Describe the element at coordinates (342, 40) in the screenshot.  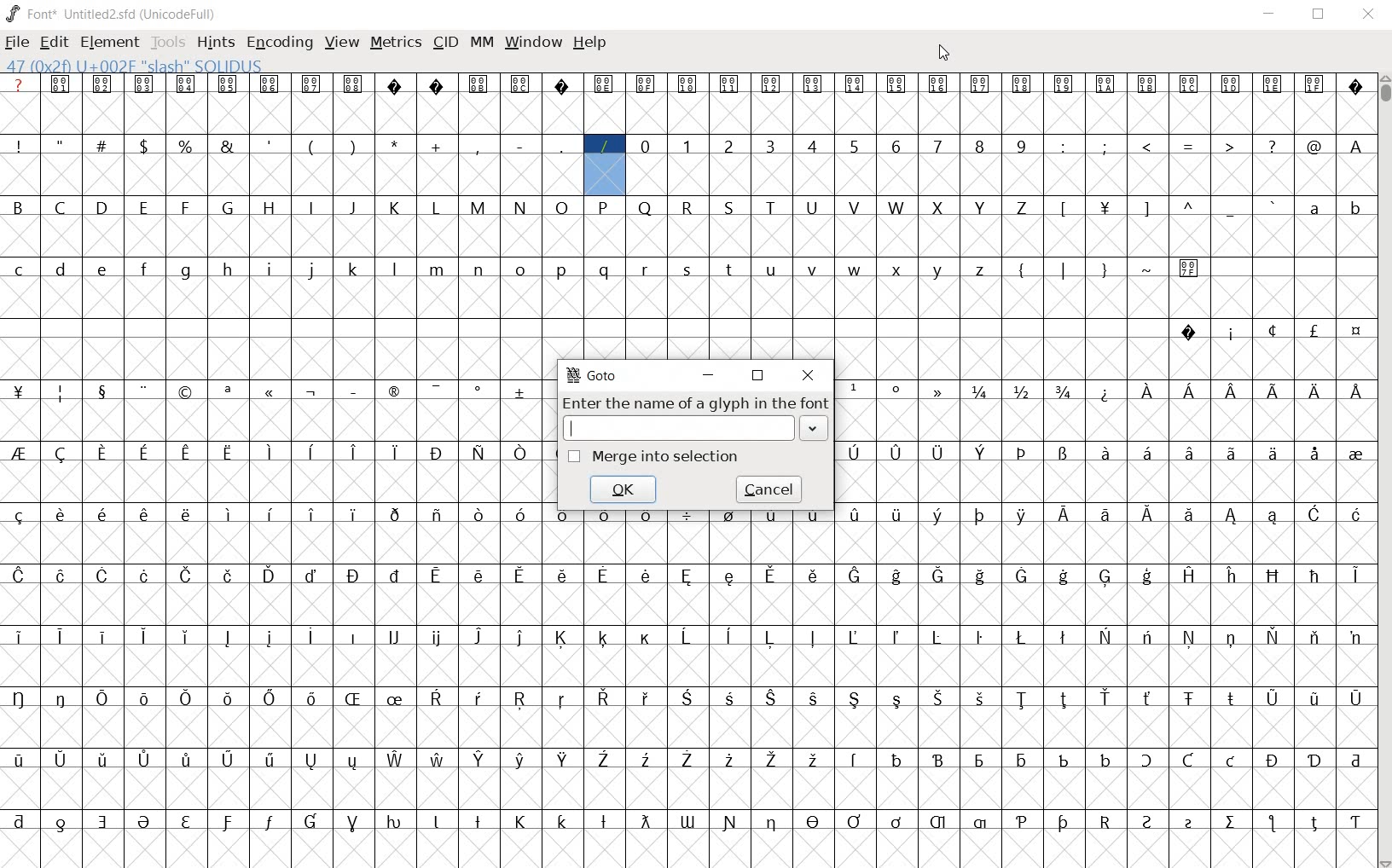
I see `VIEW` at that location.